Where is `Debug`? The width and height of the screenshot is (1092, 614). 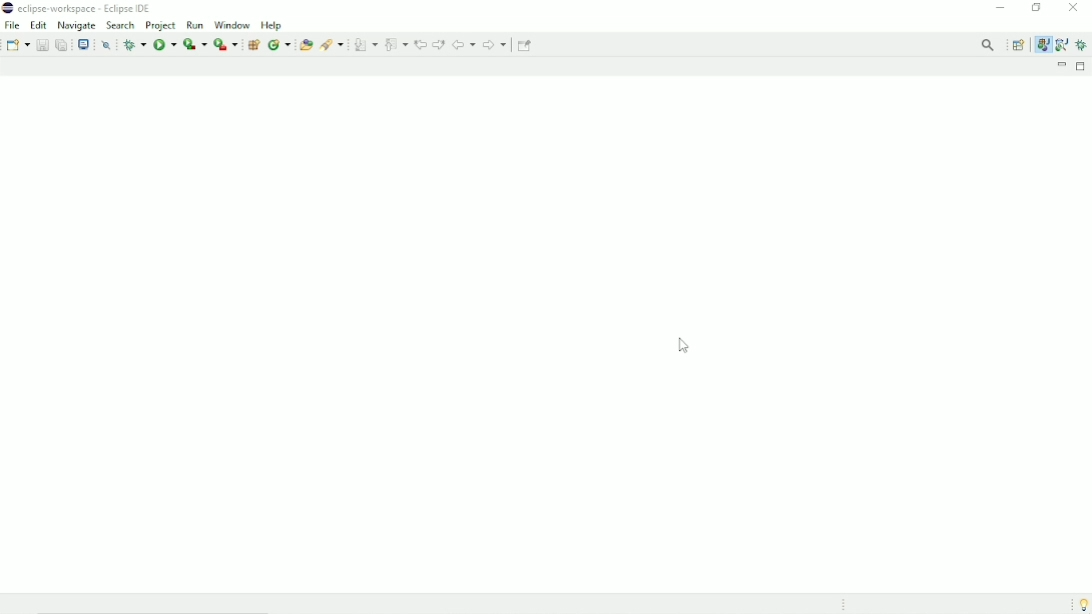 Debug is located at coordinates (135, 44).